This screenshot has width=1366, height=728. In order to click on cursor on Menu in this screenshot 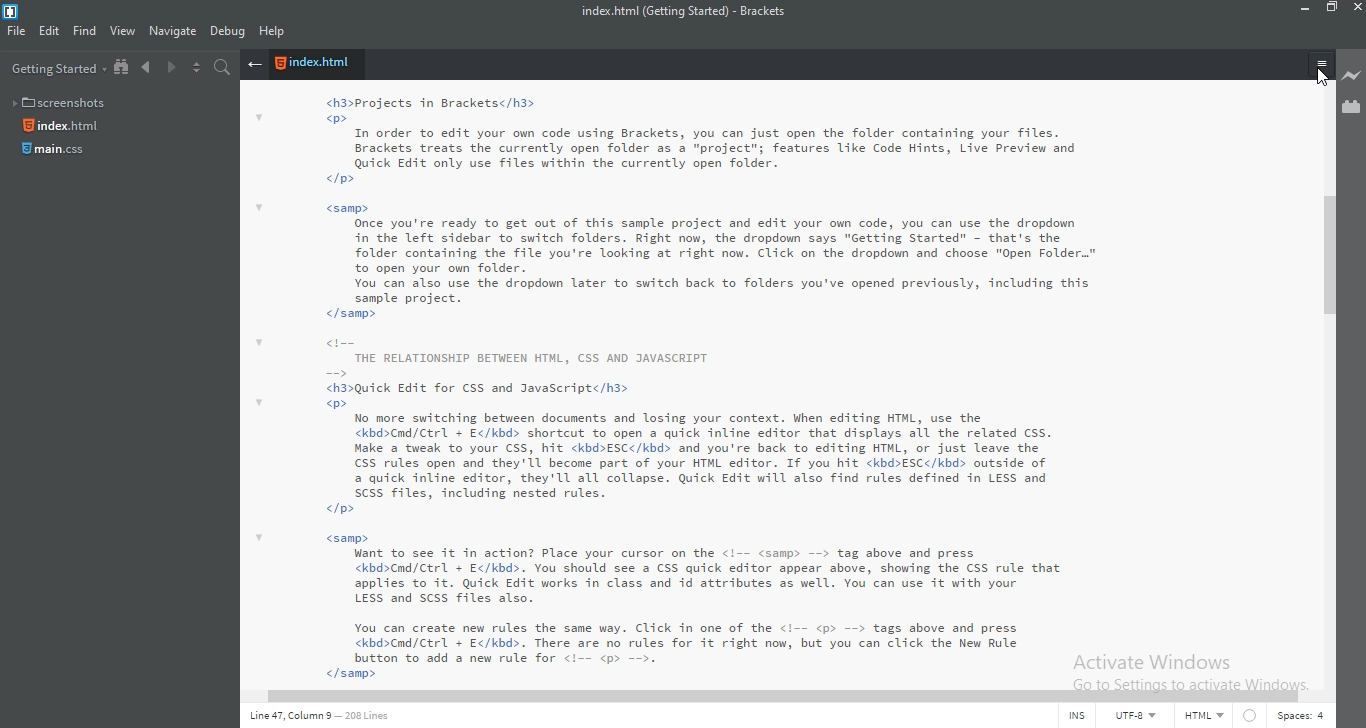, I will do `click(1324, 77)`.